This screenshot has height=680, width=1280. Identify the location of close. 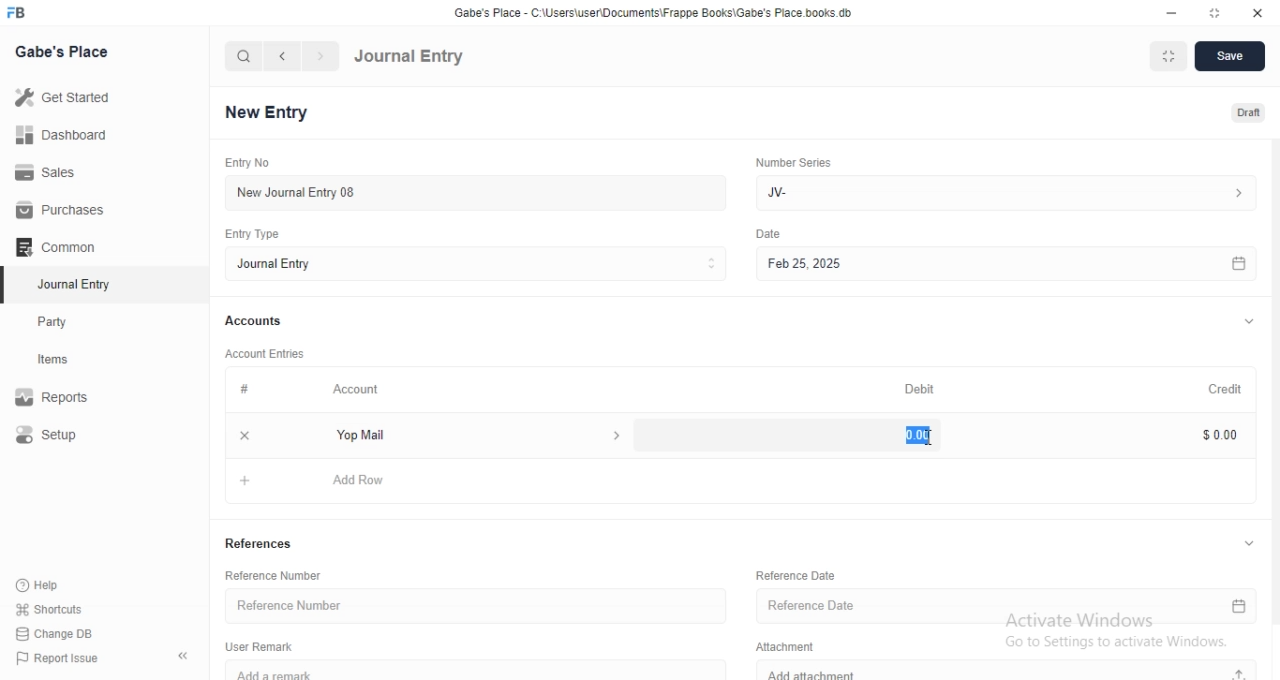
(1256, 11).